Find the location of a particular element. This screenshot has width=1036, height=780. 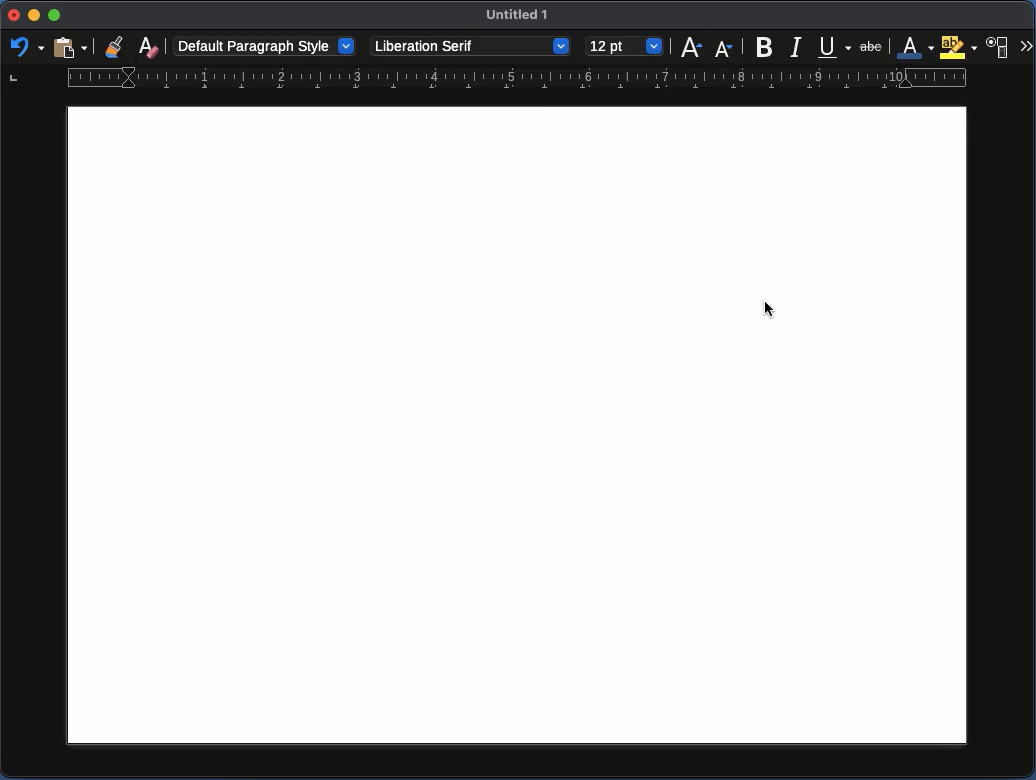

Size increase is located at coordinates (693, 47).